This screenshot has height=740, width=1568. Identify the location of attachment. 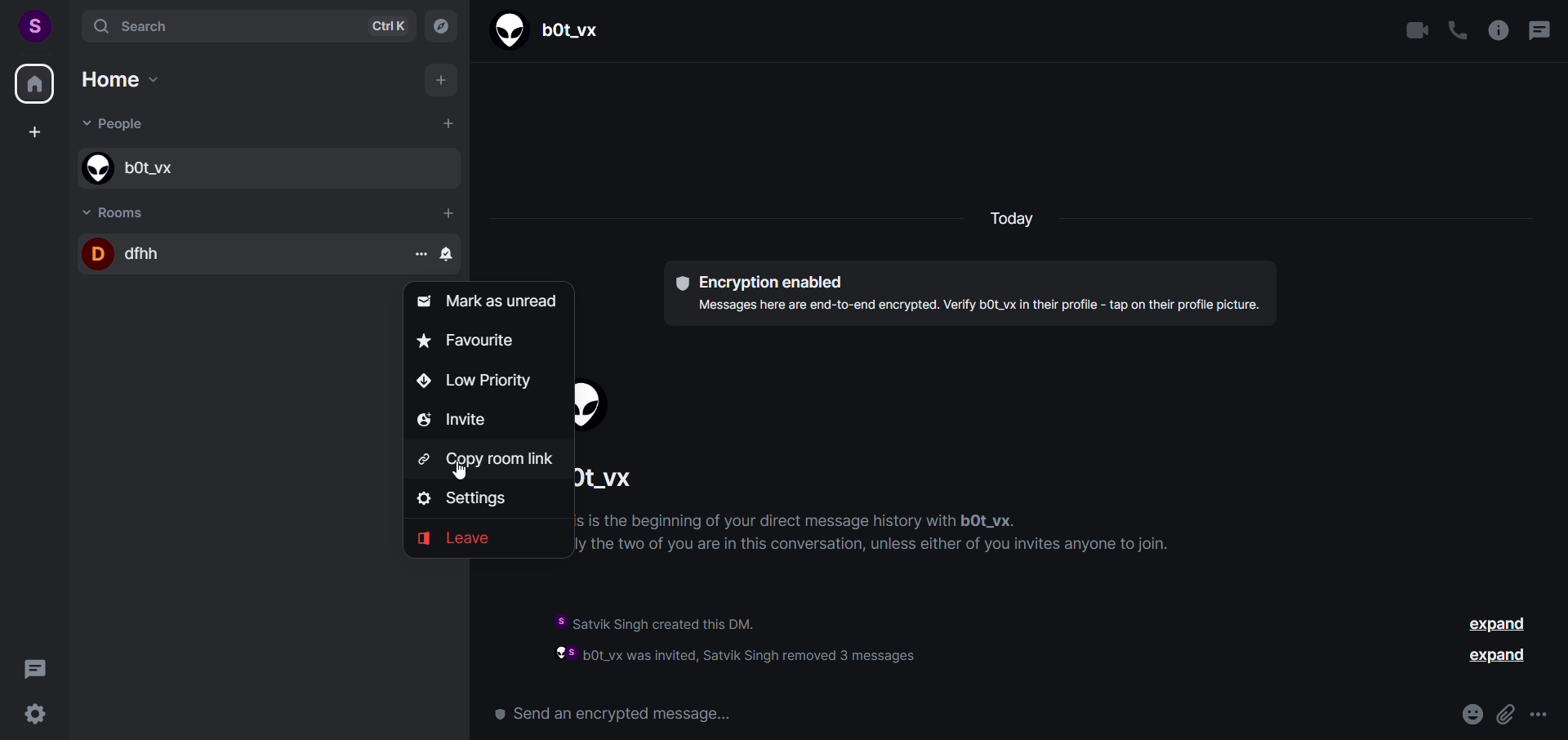
(1503, 711).